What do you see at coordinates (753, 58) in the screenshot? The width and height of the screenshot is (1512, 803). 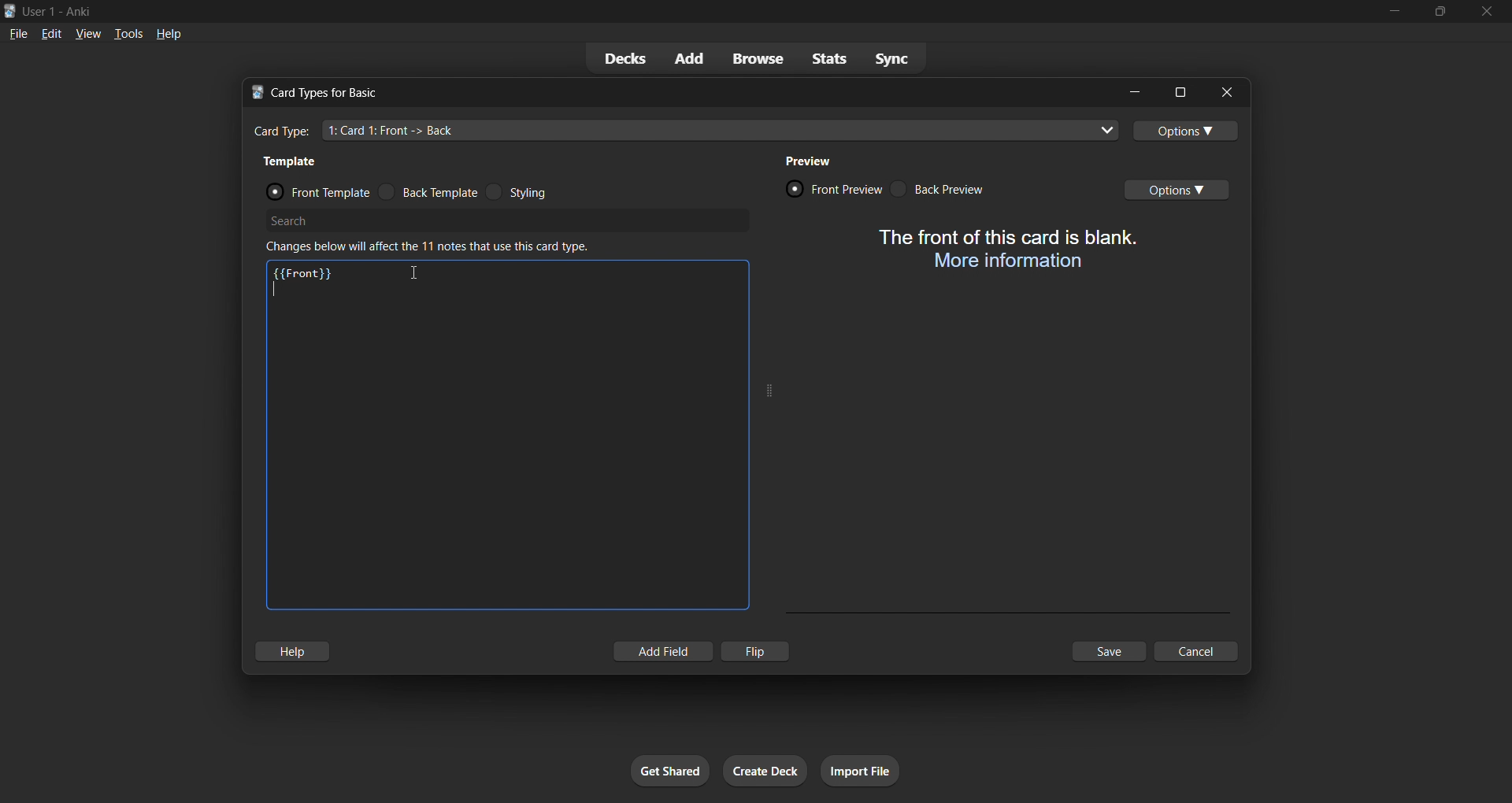 I see `browse` at bounding box center [753, 58].